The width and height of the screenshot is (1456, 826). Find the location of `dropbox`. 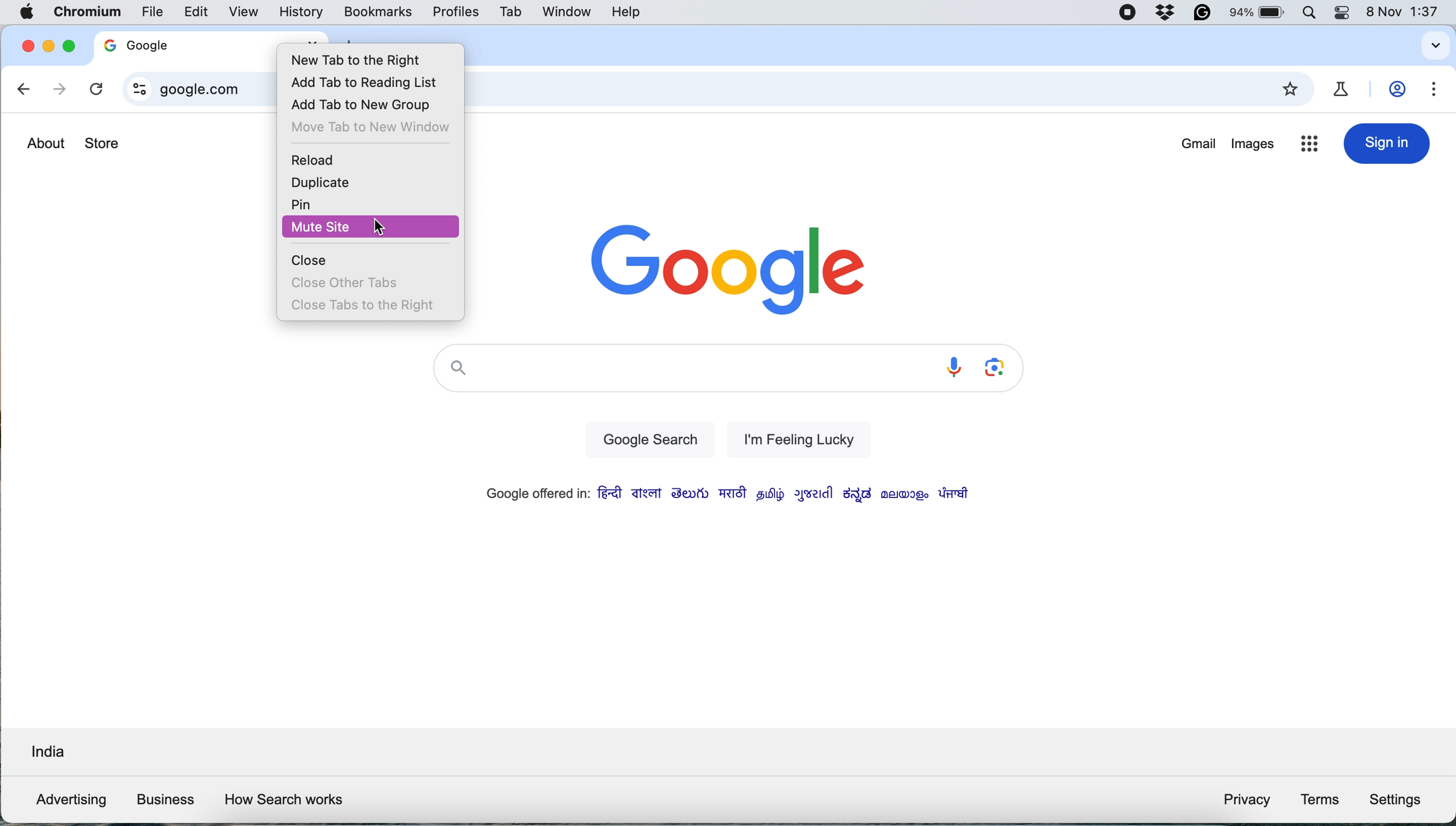

dropbox is located at coordinates (1167, 14).